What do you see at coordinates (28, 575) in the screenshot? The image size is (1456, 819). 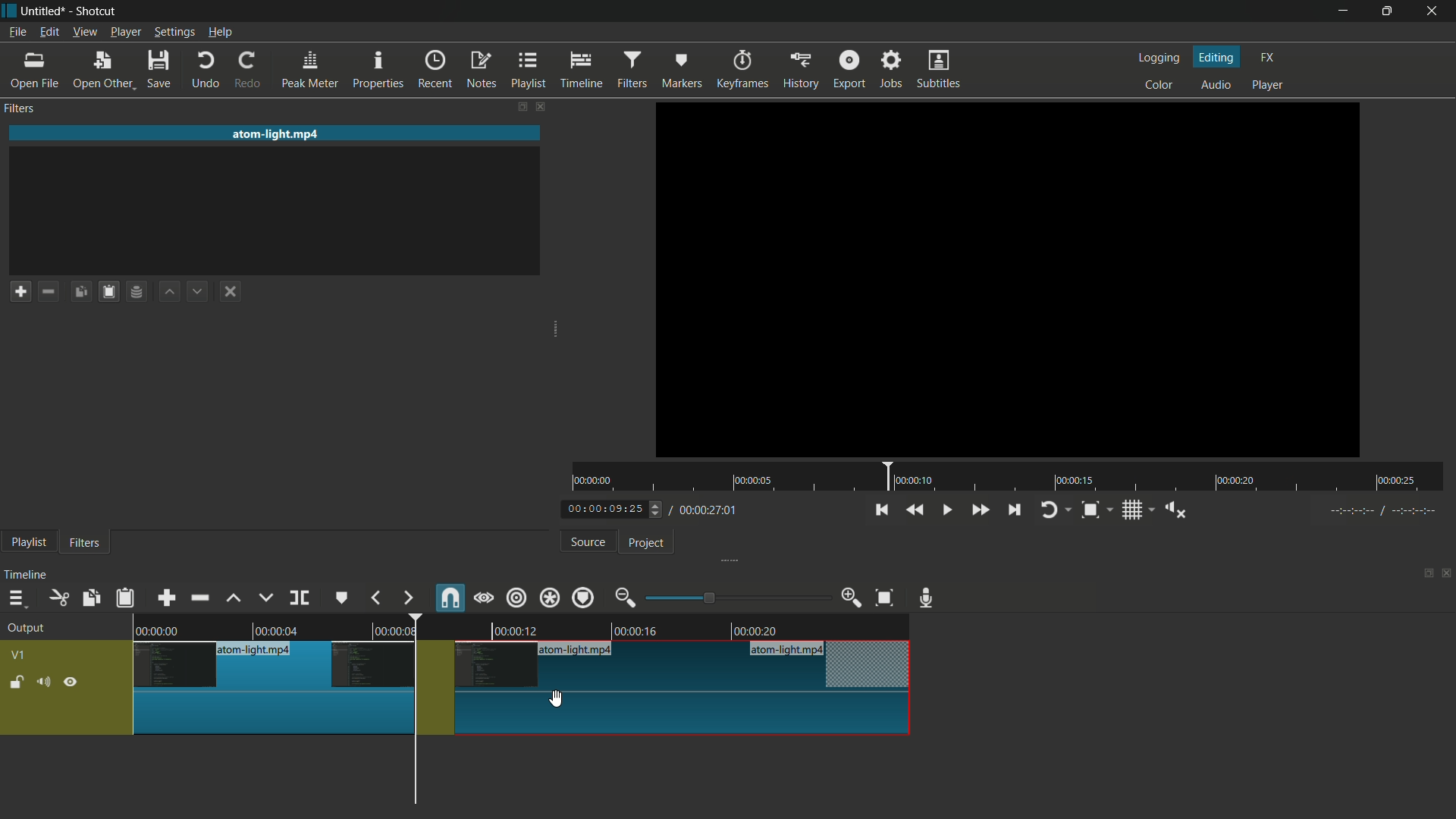 I see `timeline` at bounding box center [28, 575].